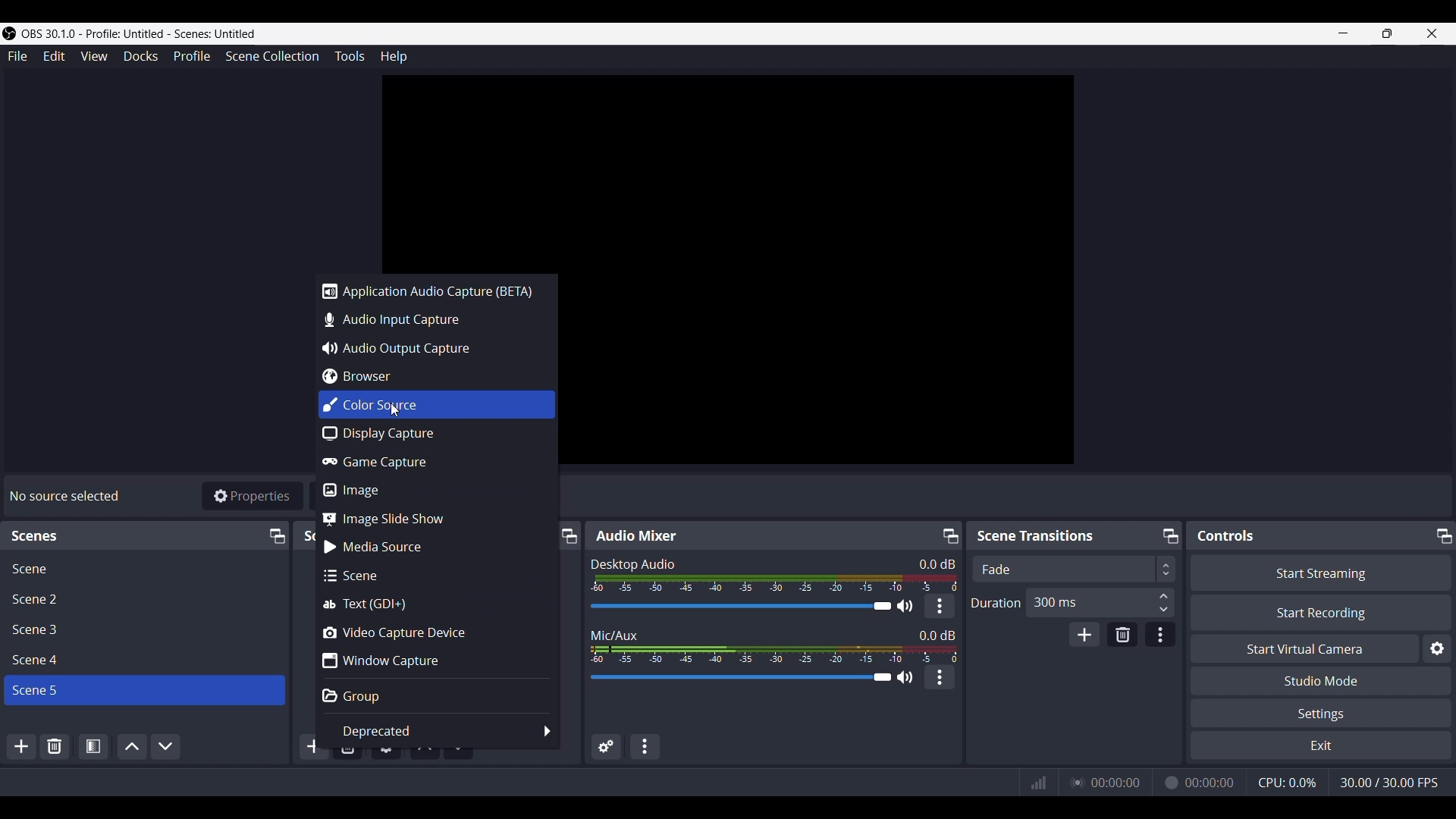 The image size is (1456, 819). Describe the element at coordinates (940, 605) in the screenshot. I see `More` at that location.